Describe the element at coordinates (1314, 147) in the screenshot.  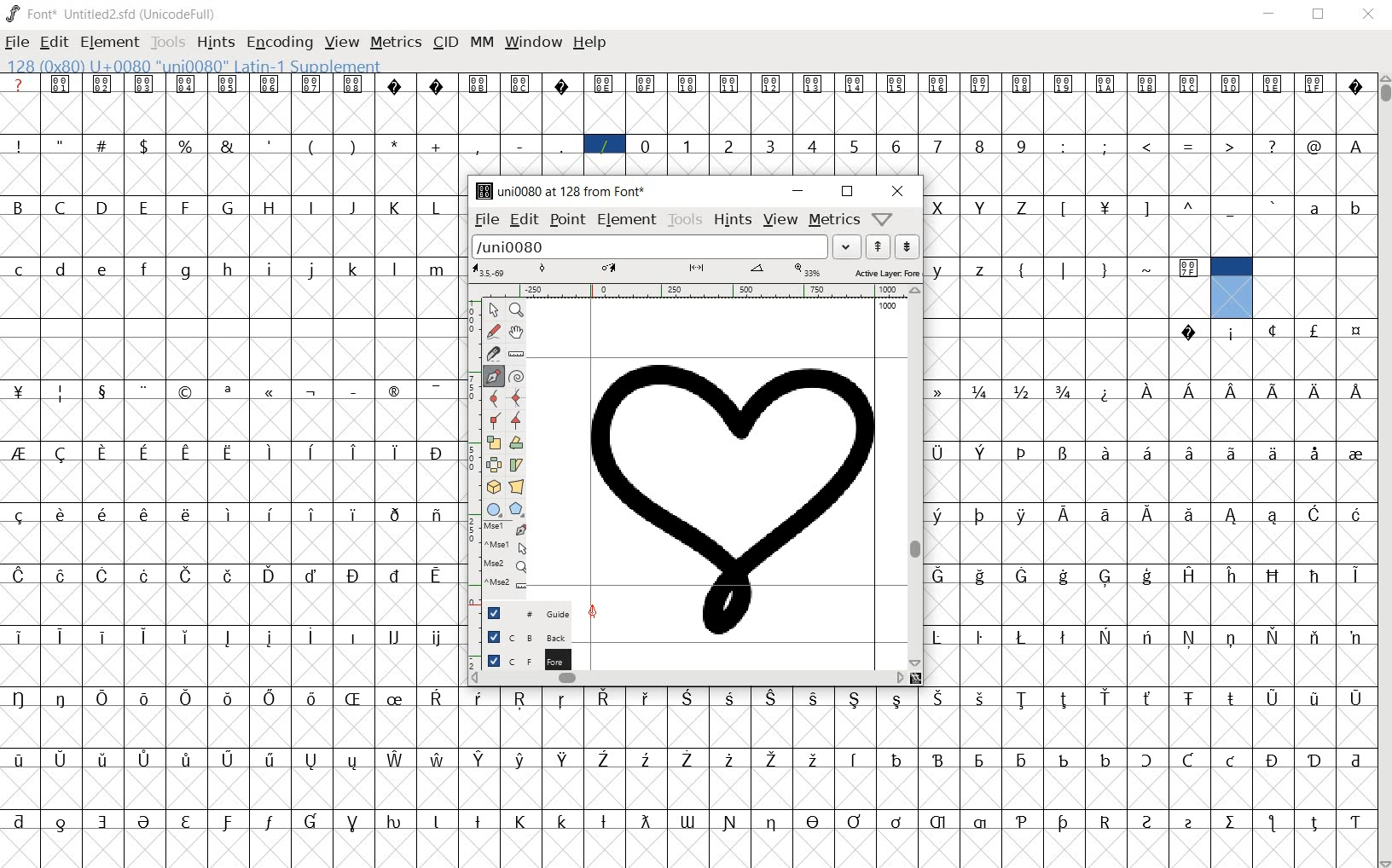
I see `glyph` at that location.